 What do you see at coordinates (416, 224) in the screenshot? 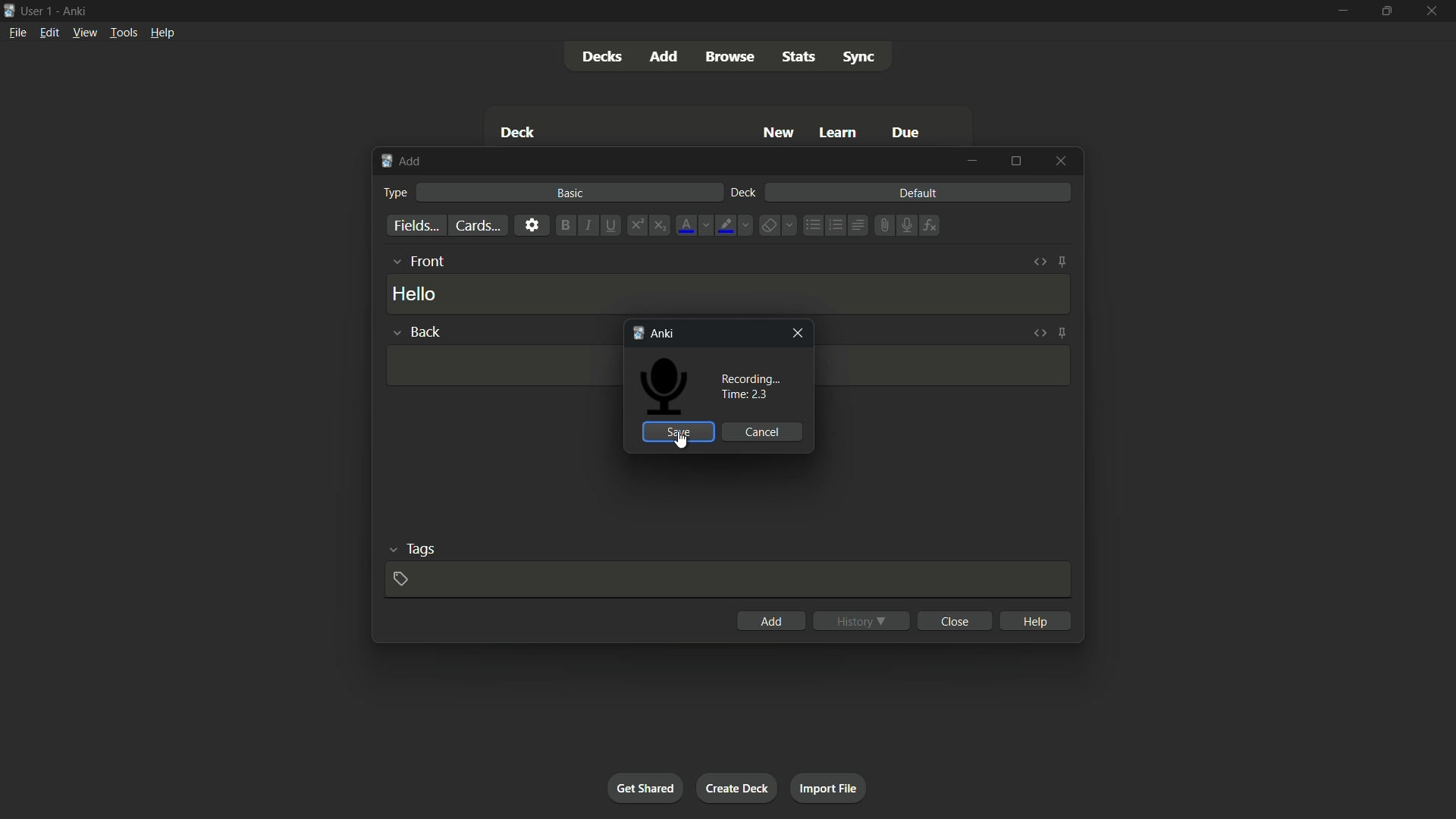
I see `fields` at bounding box center [416, 224].